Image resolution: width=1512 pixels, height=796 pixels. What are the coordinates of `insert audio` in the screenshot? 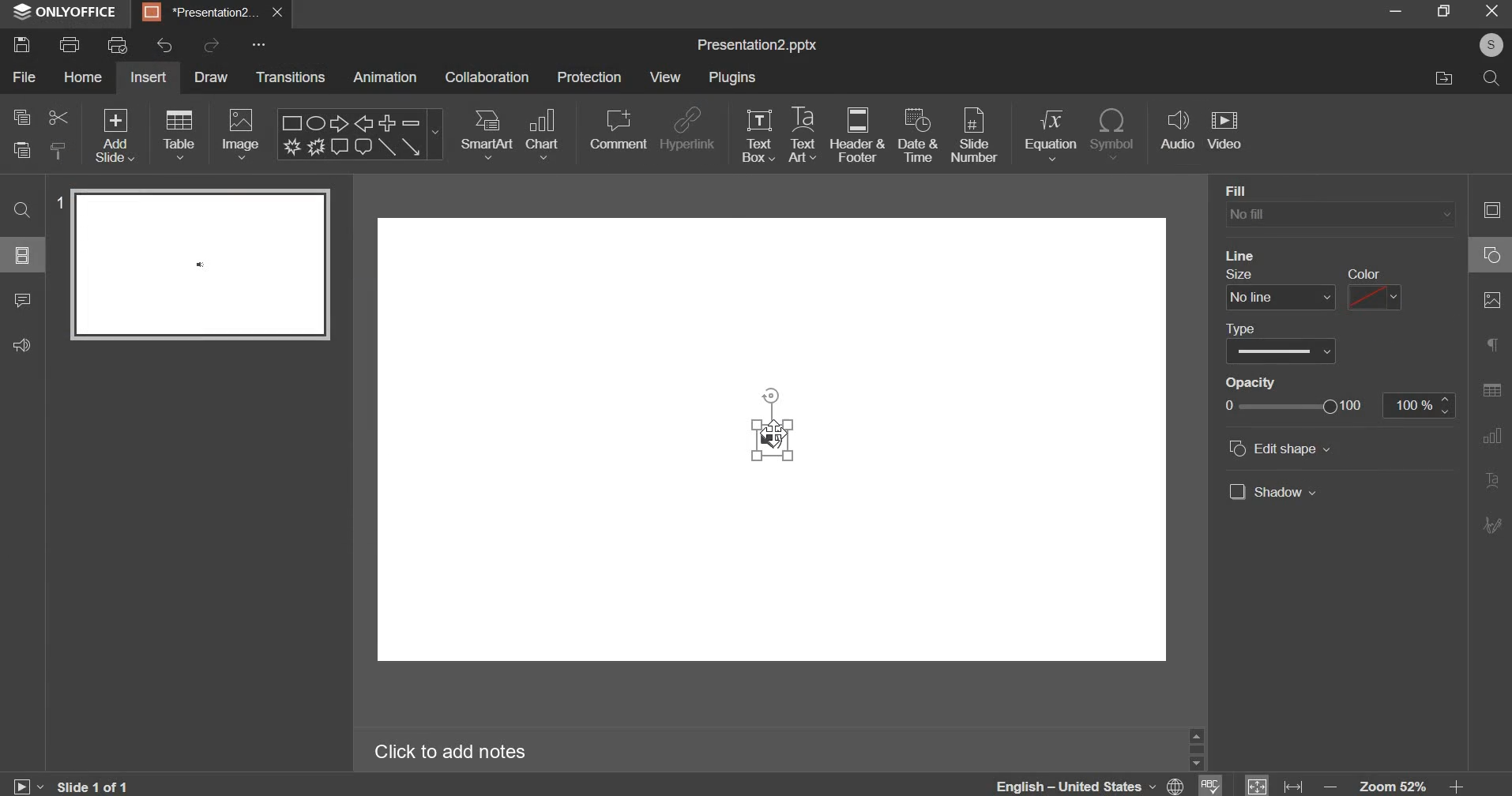 It's located at (1179, 132).